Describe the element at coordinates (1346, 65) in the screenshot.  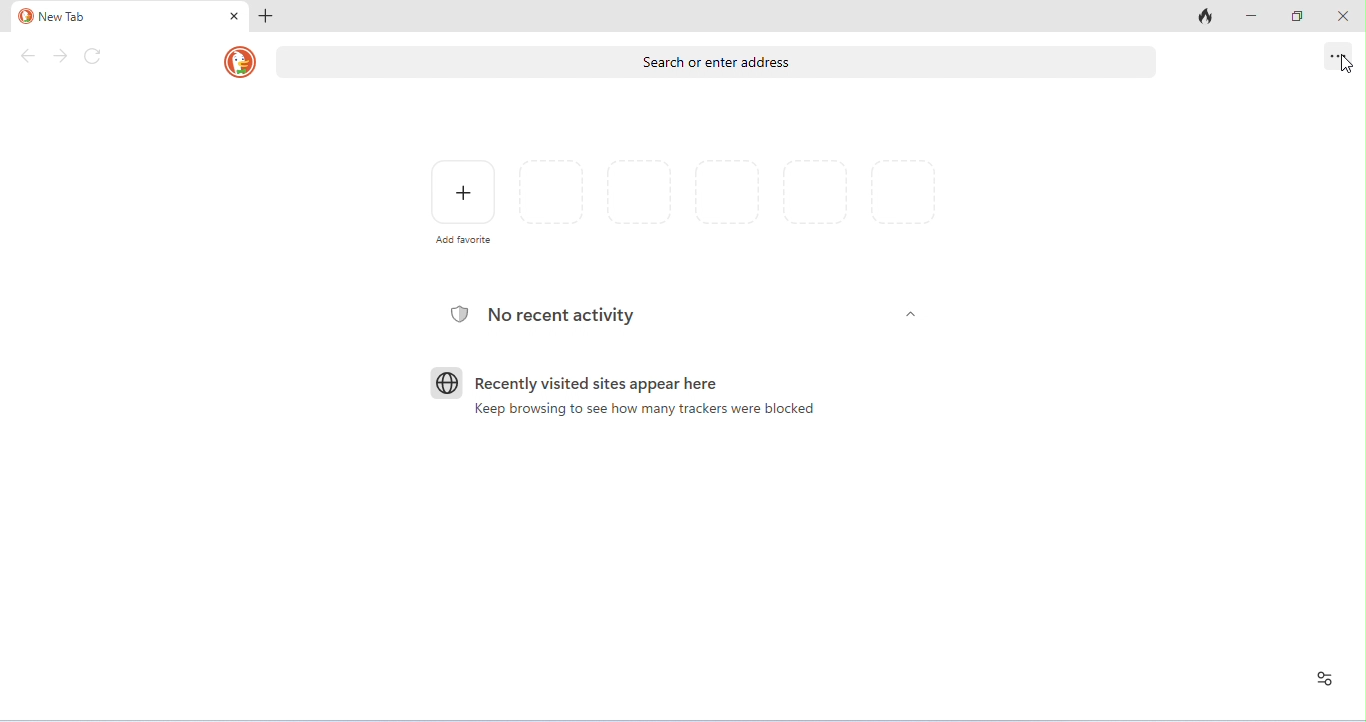
I see `cursor` at that location.